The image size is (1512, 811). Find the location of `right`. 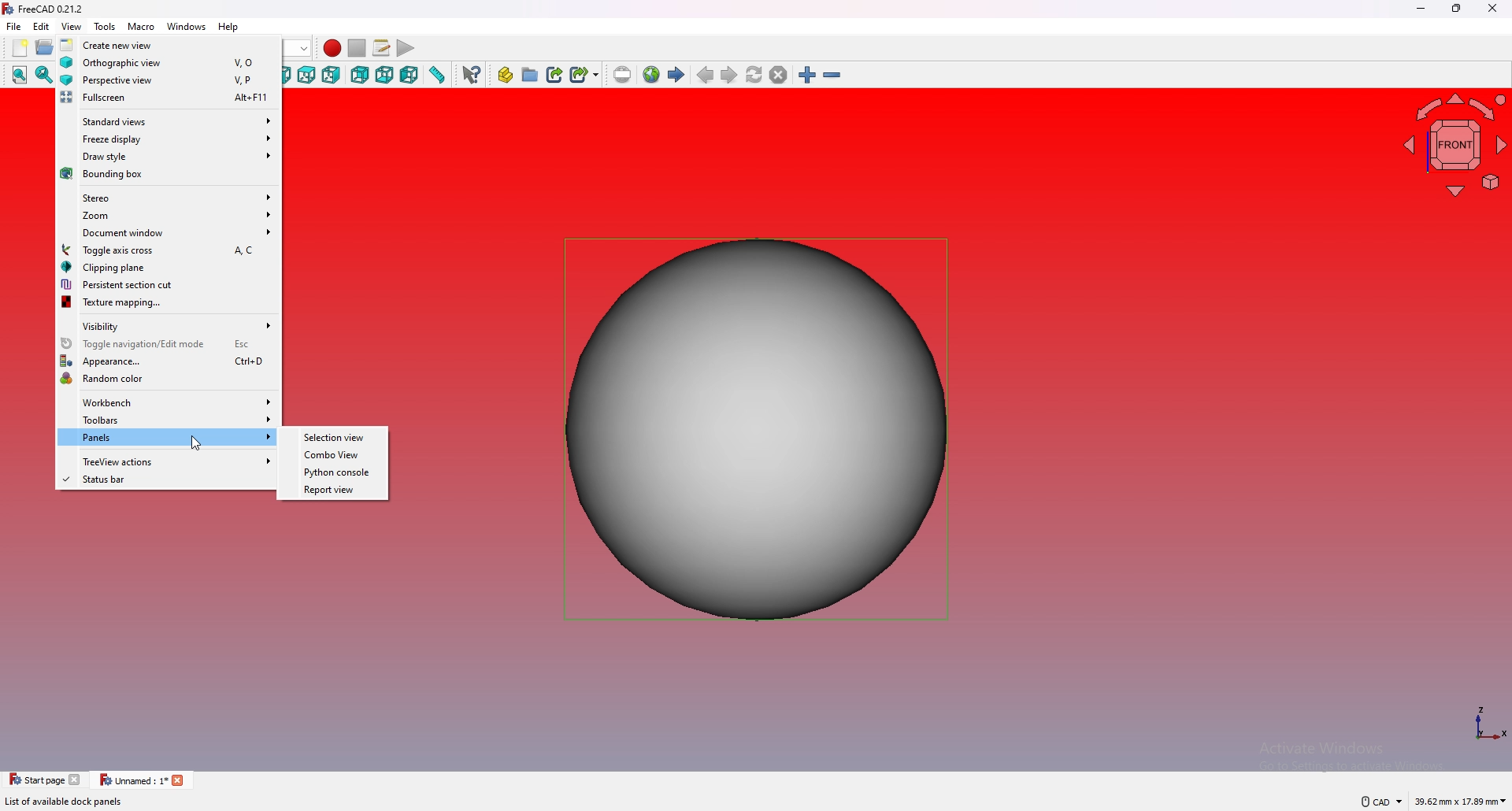

right is located at coordinates (331, 74).